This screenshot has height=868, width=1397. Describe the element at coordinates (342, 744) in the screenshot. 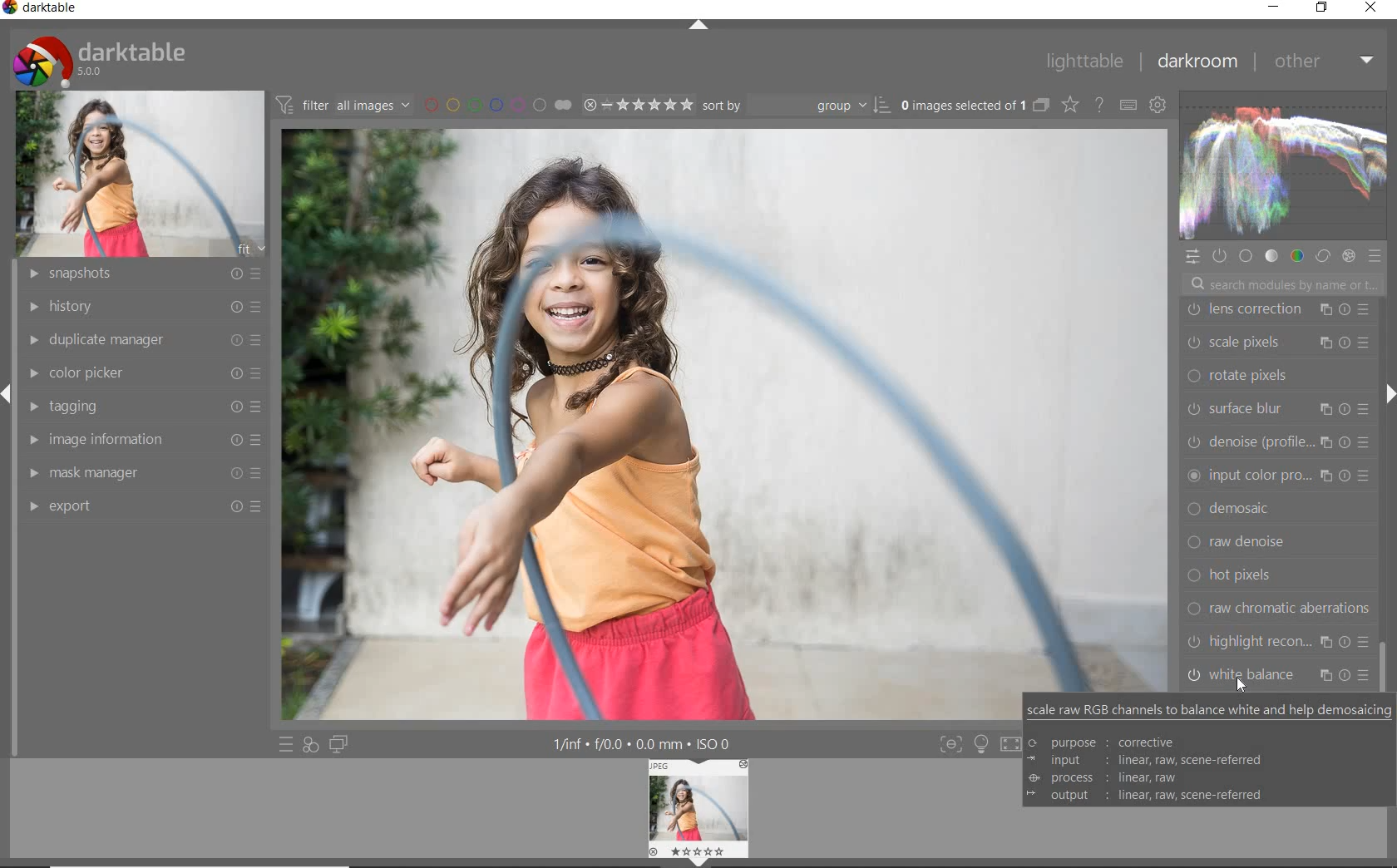

I see `display a second darkroom image window` at that location.